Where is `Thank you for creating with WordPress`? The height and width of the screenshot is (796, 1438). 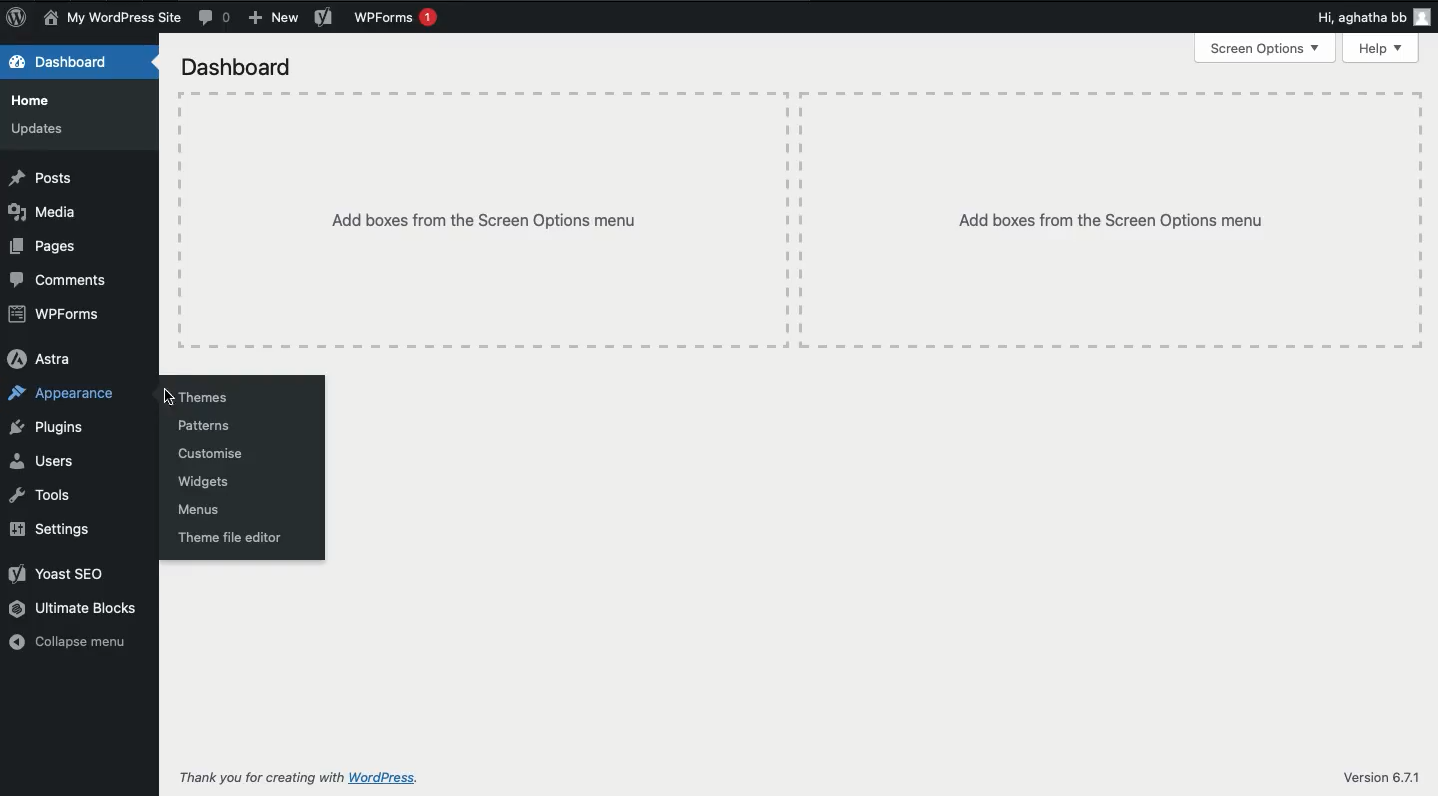
Thank you for creating with WordPress is located at coordinates (298, 780).